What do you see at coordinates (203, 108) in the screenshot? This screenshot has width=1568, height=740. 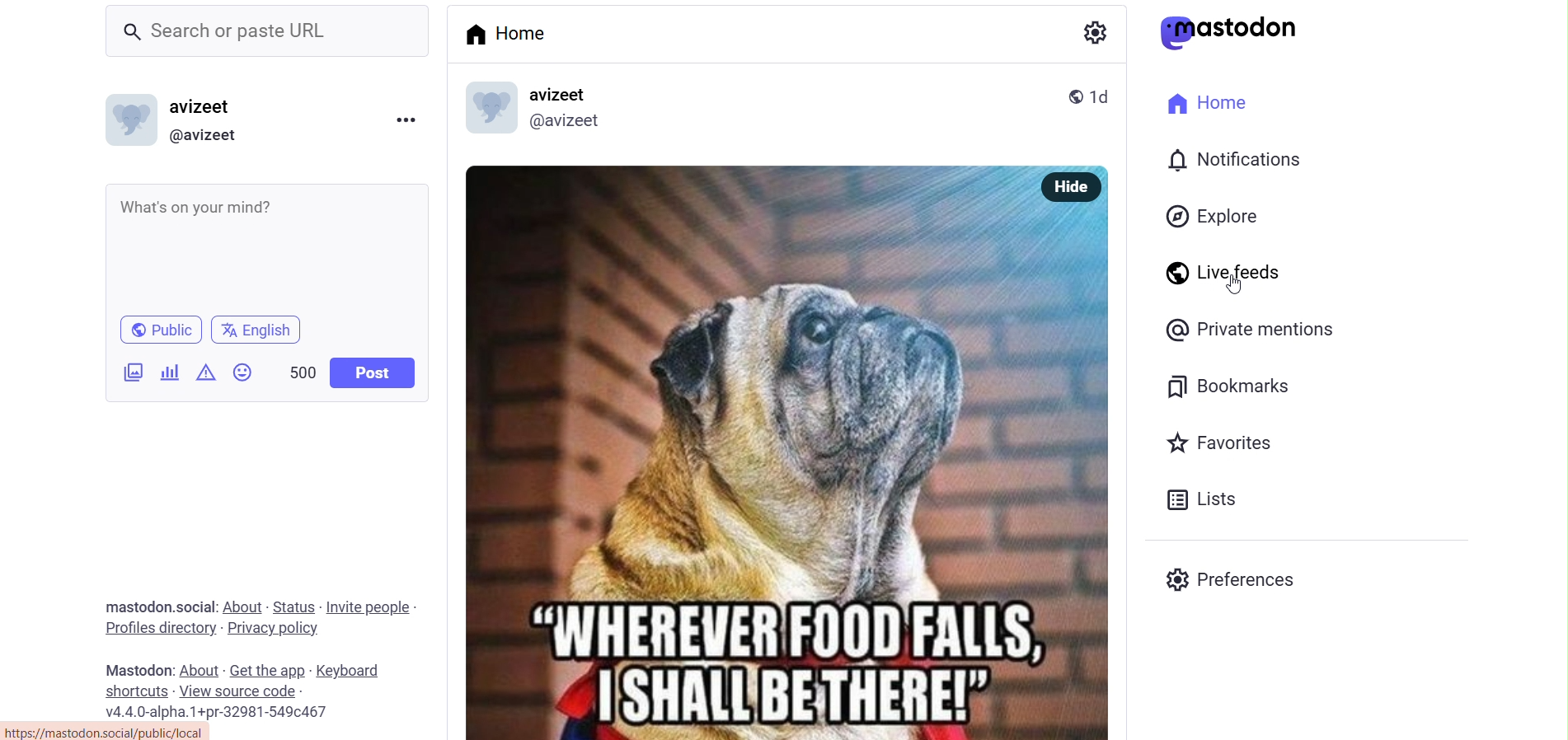 I see `name` at bounding box center [203, 108].